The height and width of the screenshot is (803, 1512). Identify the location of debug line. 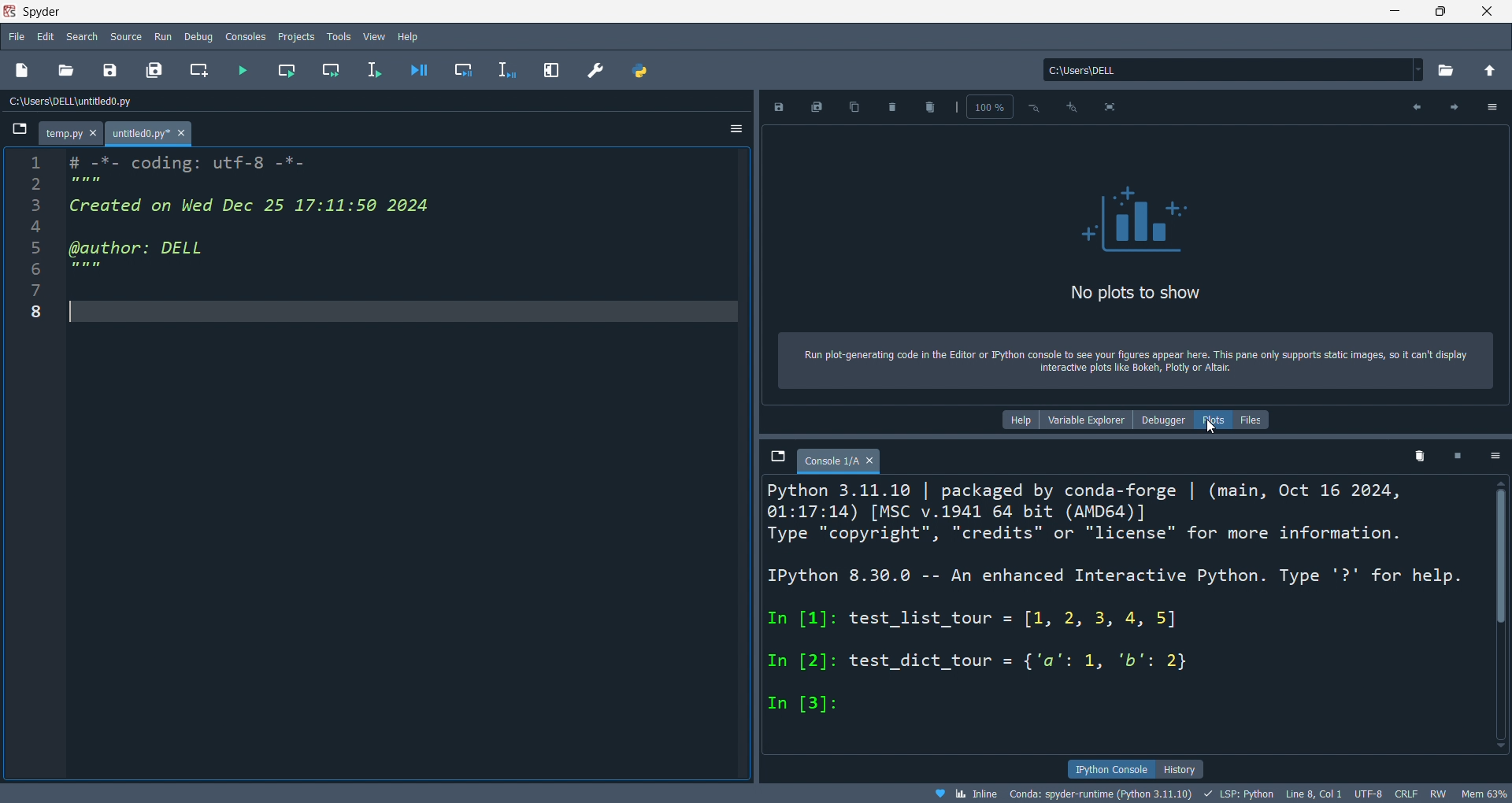
(507, 68).